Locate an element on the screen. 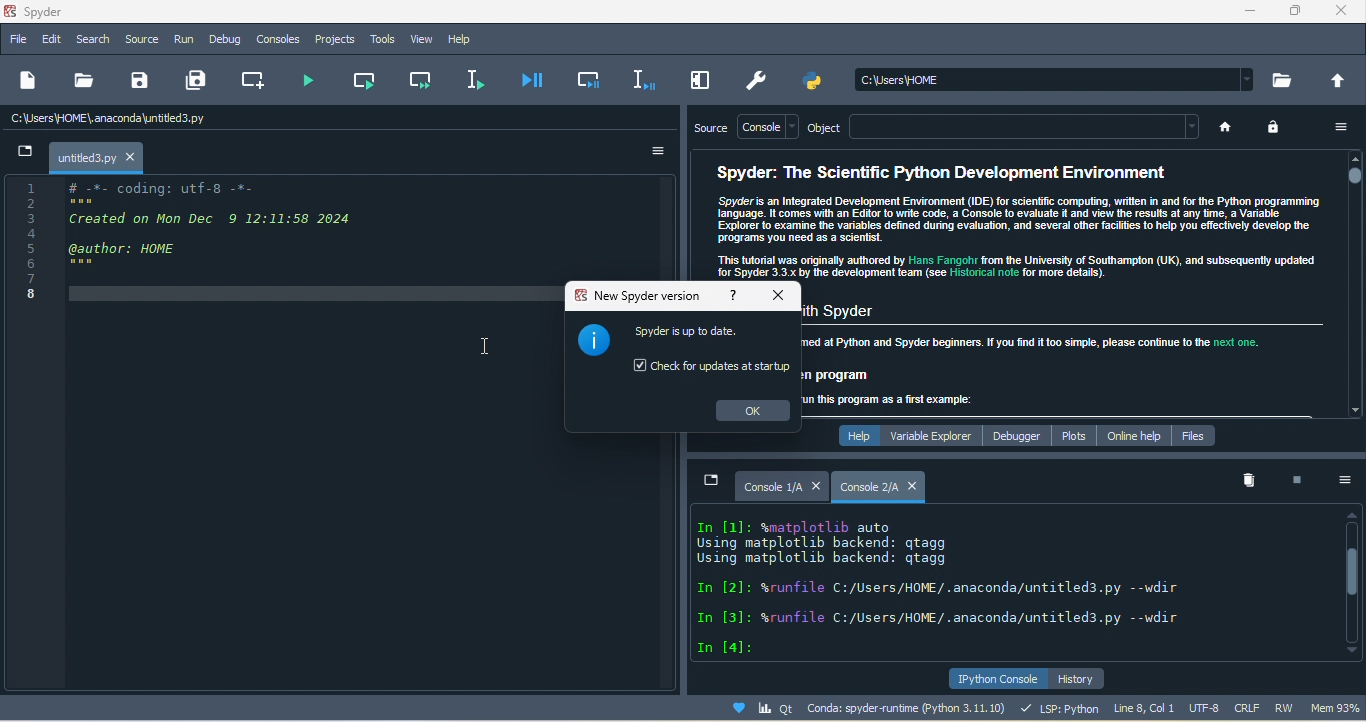  run is located at coordinates (183, 40).